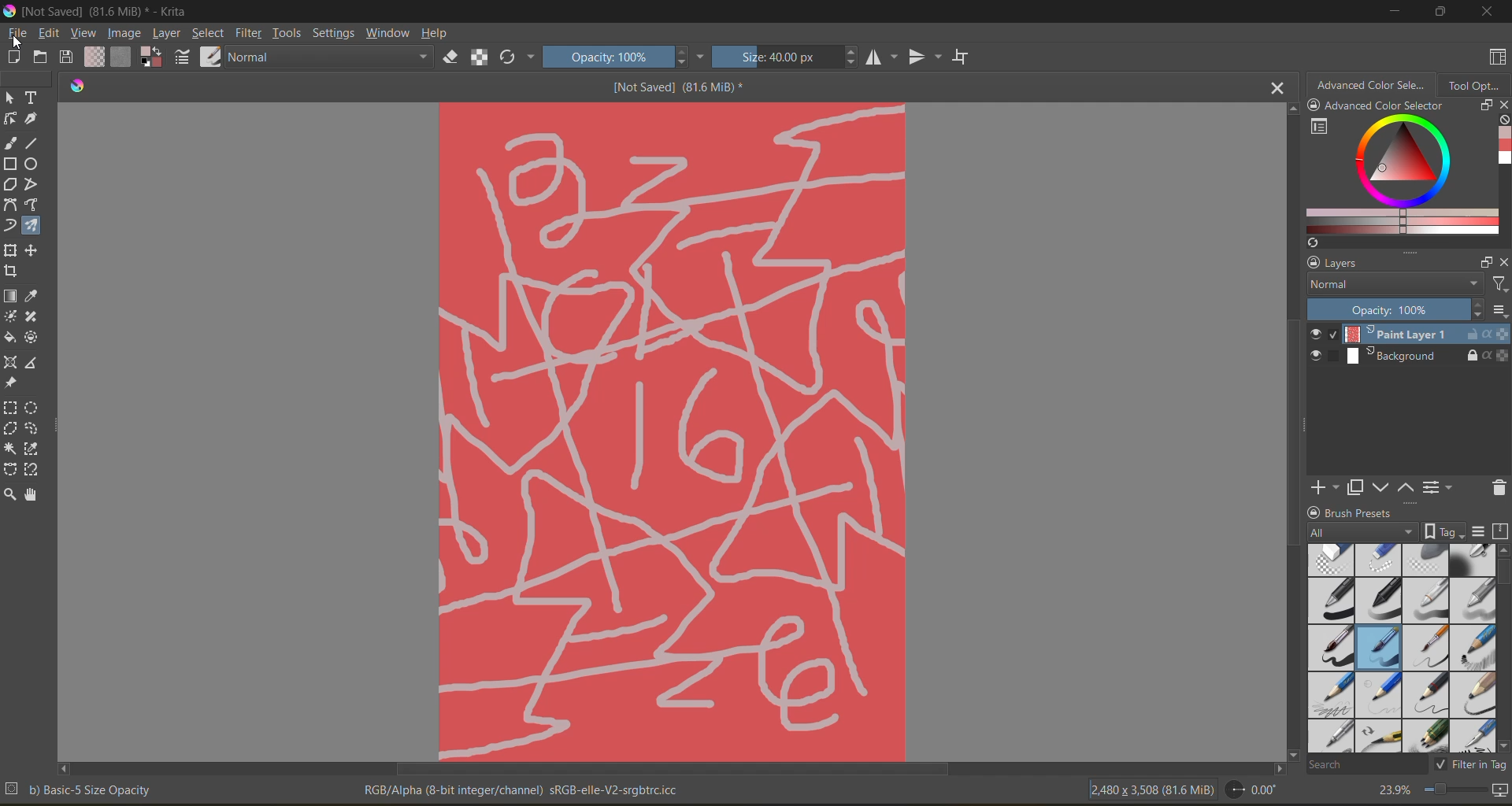  Describe the element at coordinates (9, 142) in the screenshot. I see `tool` at that location.